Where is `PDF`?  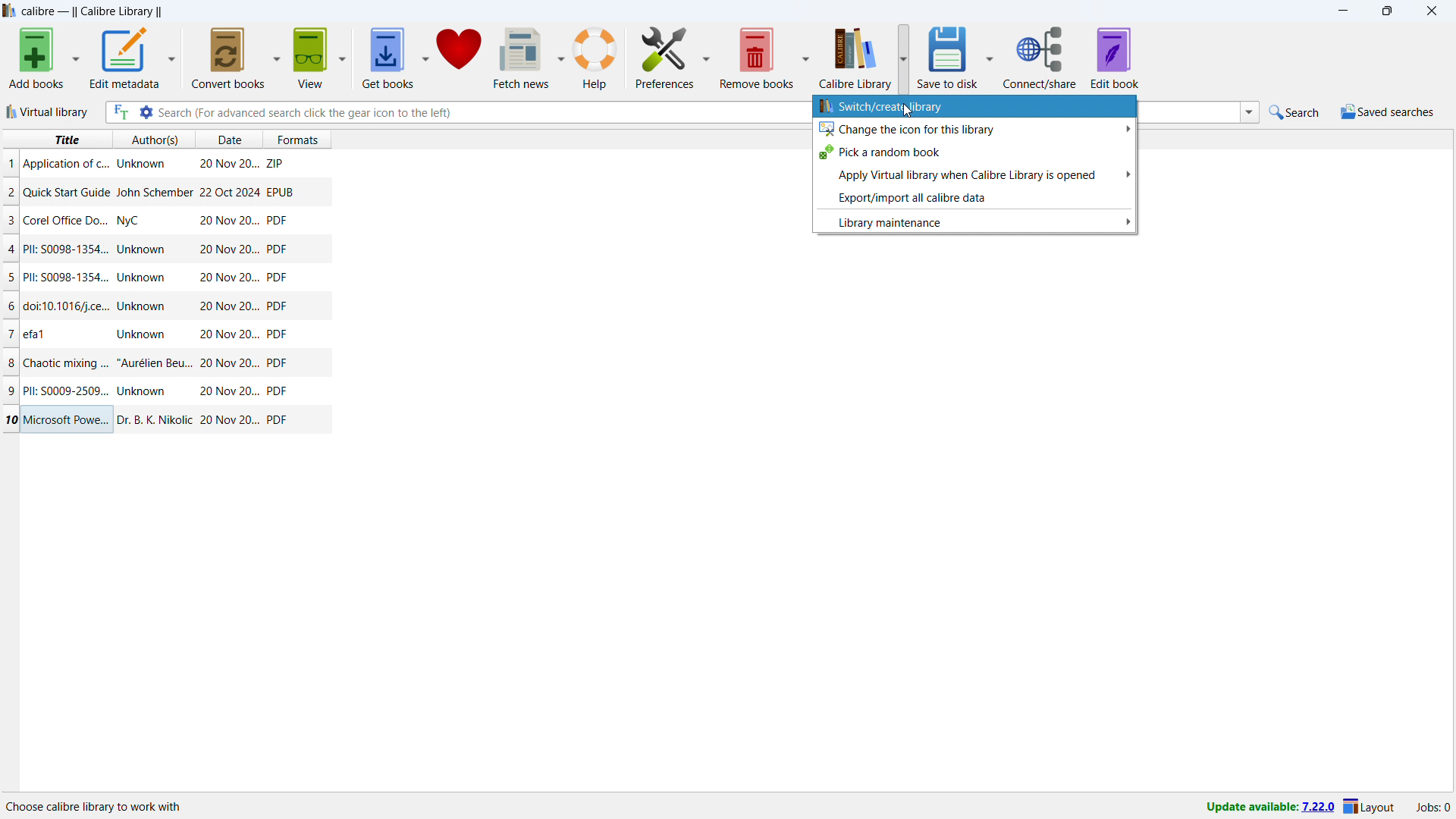 PDF is located at coordinates (277, 306).